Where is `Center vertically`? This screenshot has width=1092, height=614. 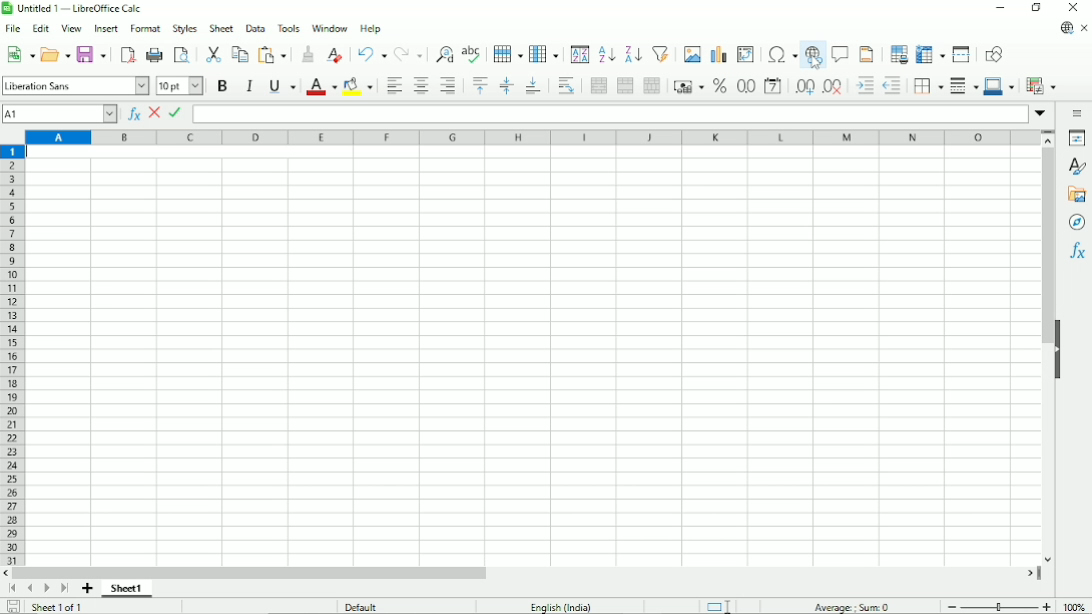 Center vertically is located at coordinates (506, 86).